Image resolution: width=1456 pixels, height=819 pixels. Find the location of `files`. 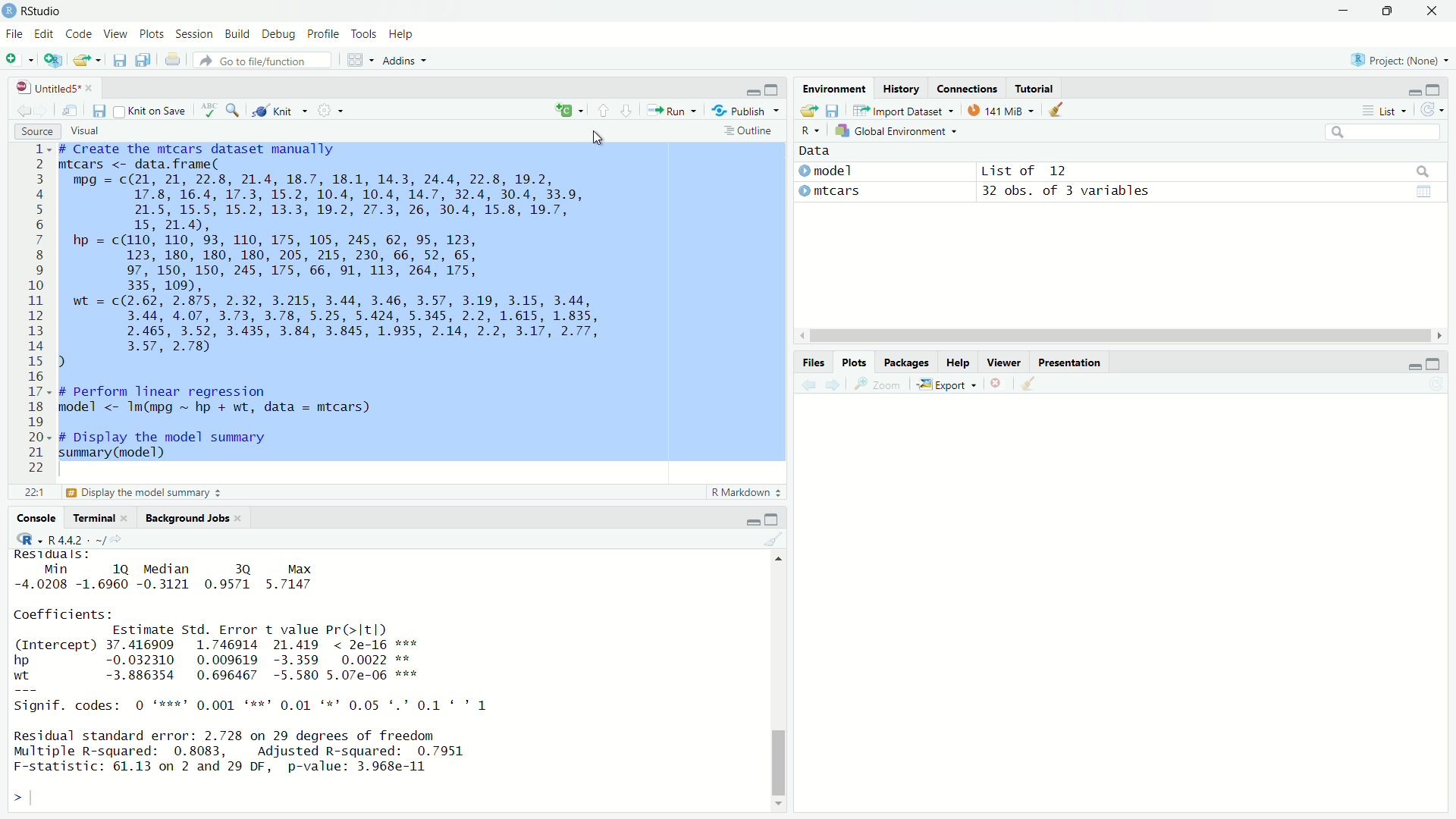

files is located at coordinates (814, 362).